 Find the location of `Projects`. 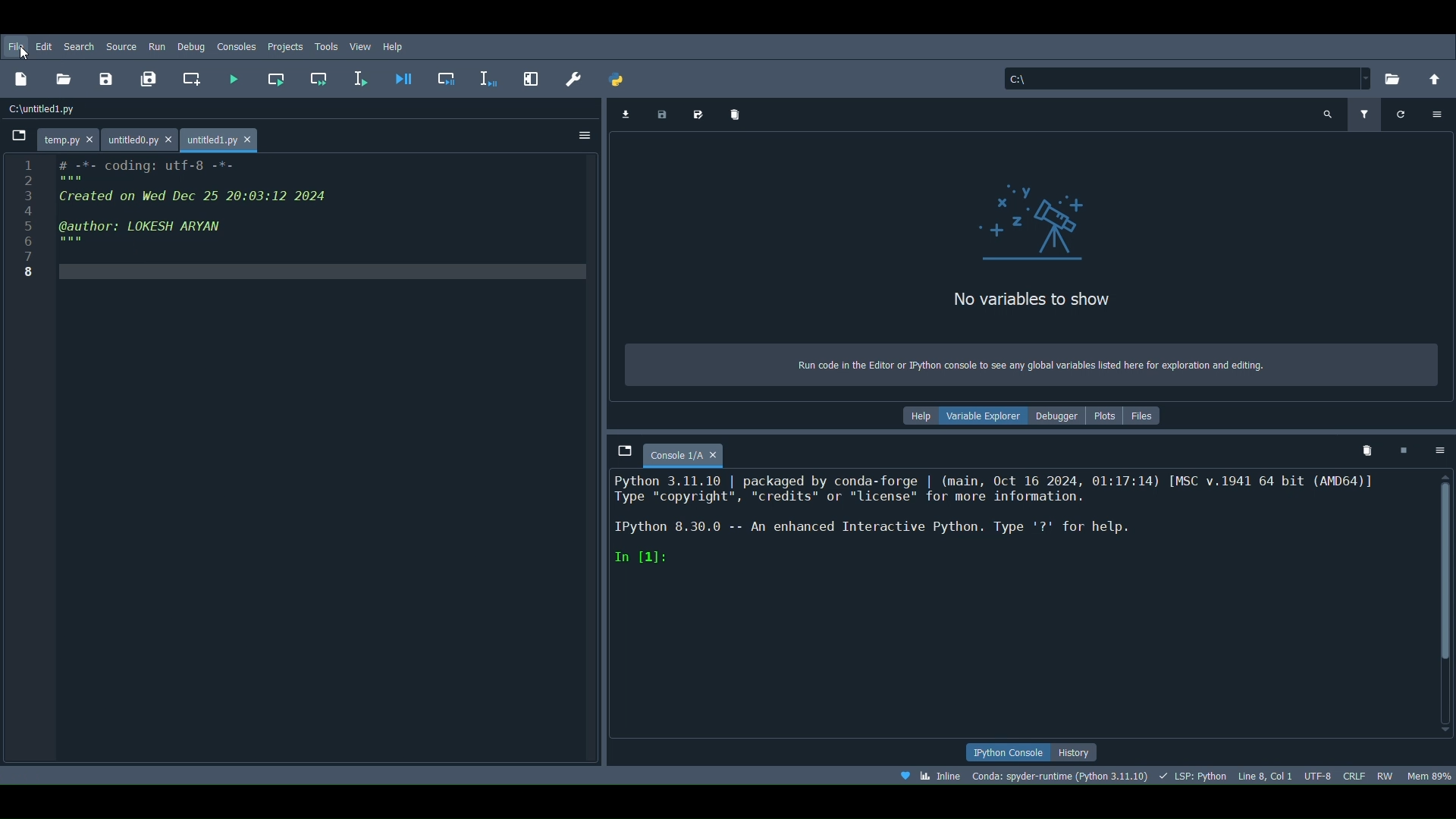

Projects is located at coordinates (286, 47).